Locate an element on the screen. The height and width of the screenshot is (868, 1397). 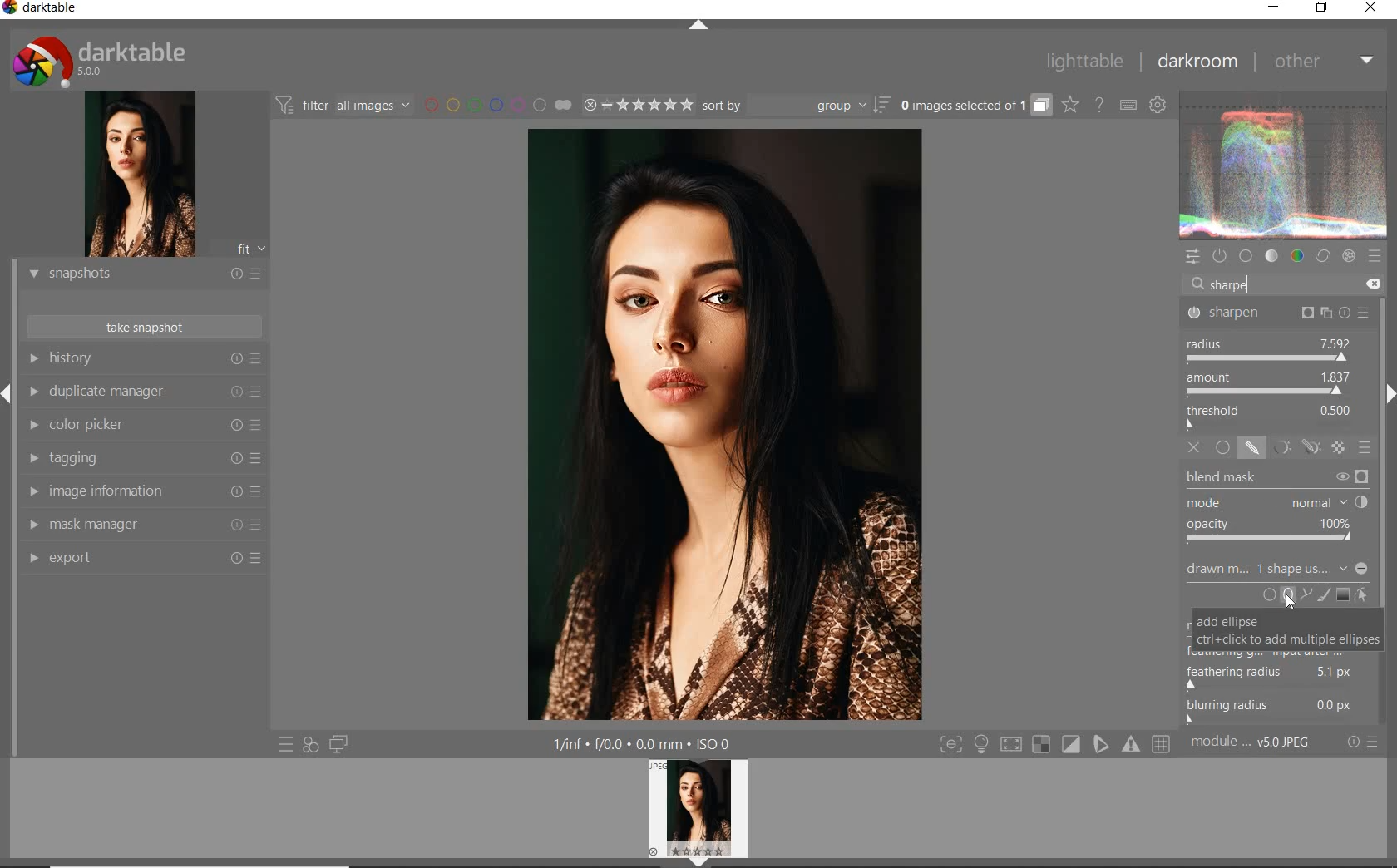
filter by image color is located at coordinates (497, 104).